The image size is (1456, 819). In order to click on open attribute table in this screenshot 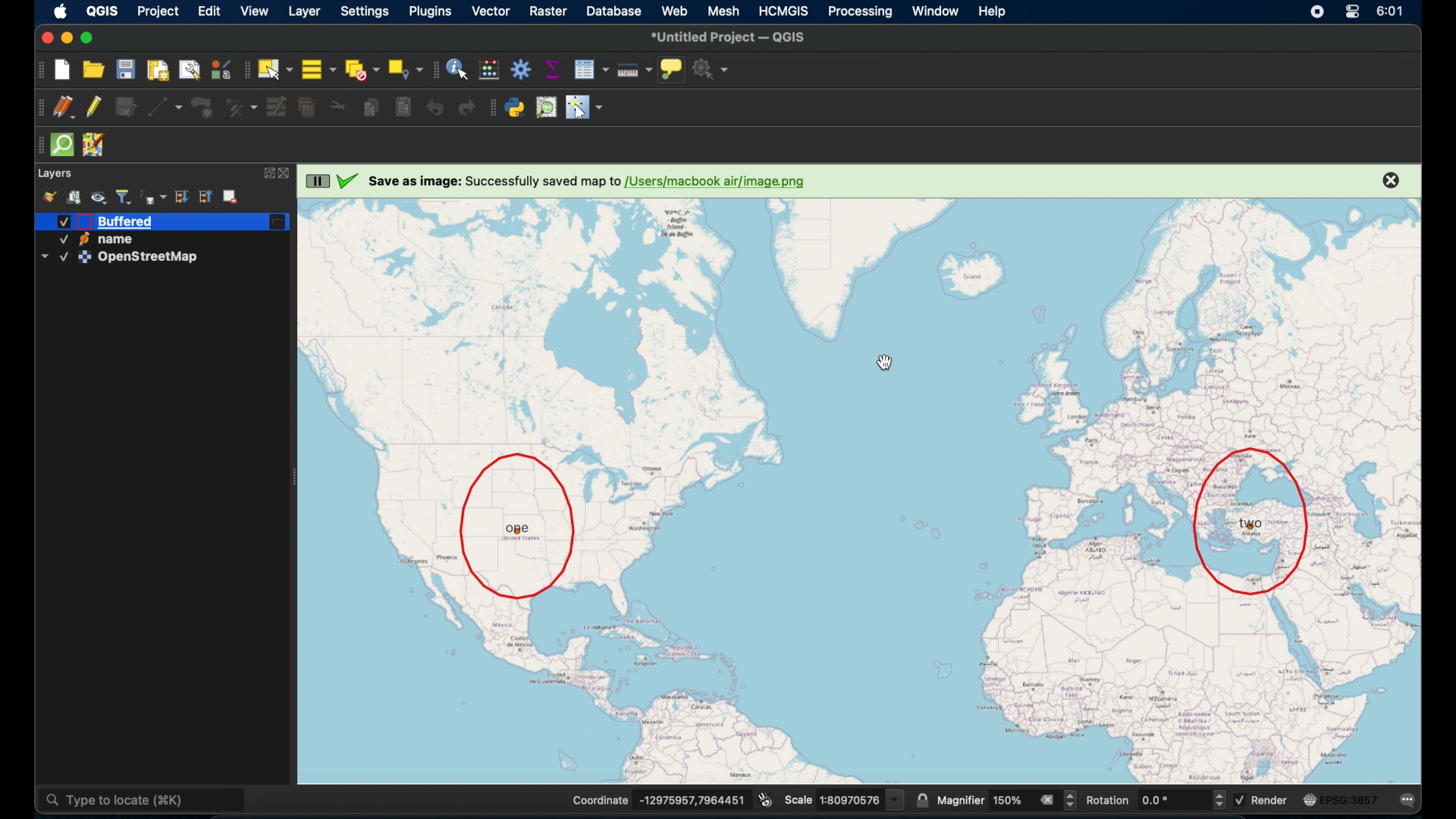, I will do `click(590, 69)`.